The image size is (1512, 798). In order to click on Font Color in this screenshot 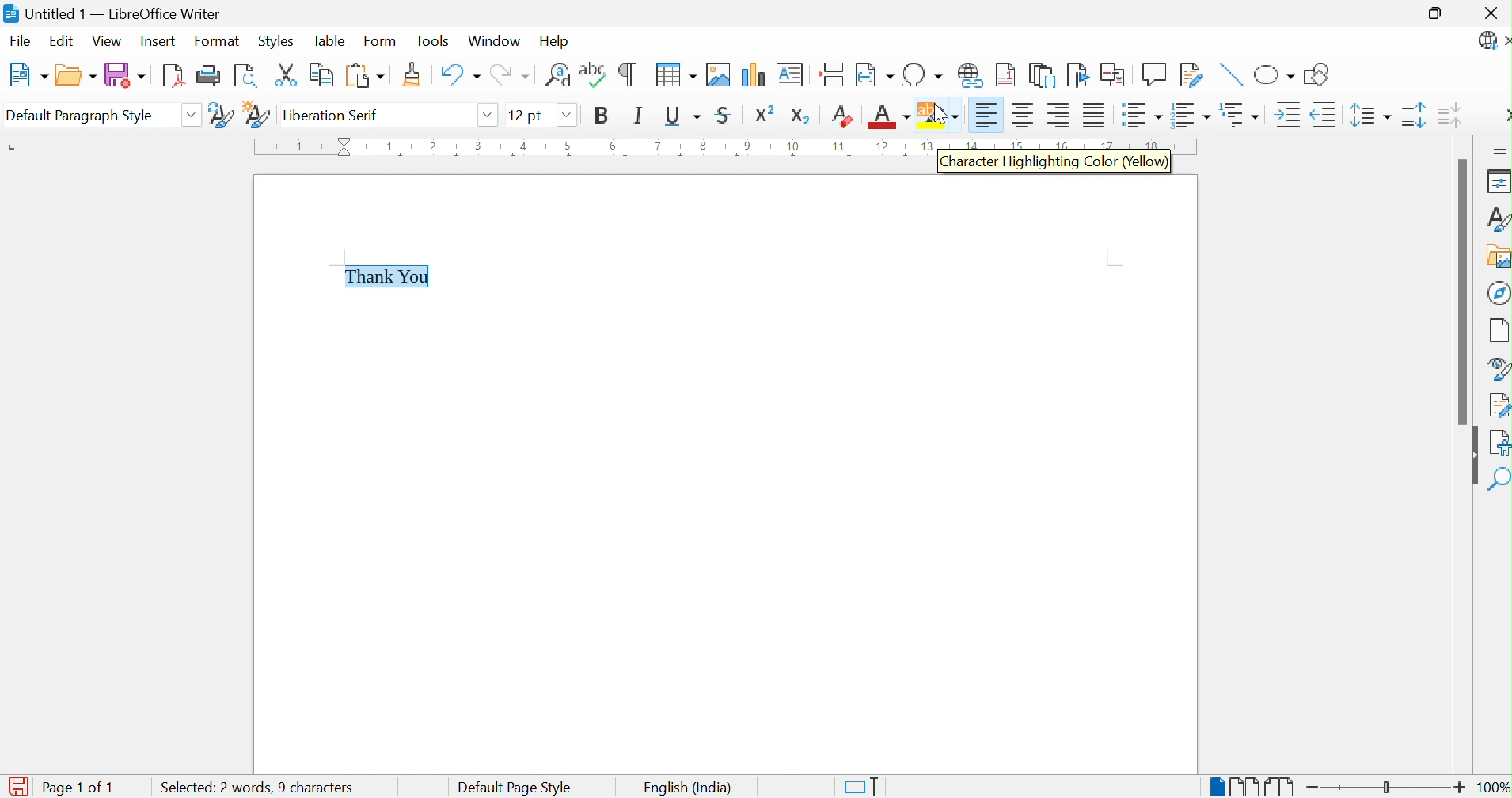, I will do `click(891, 118)`.